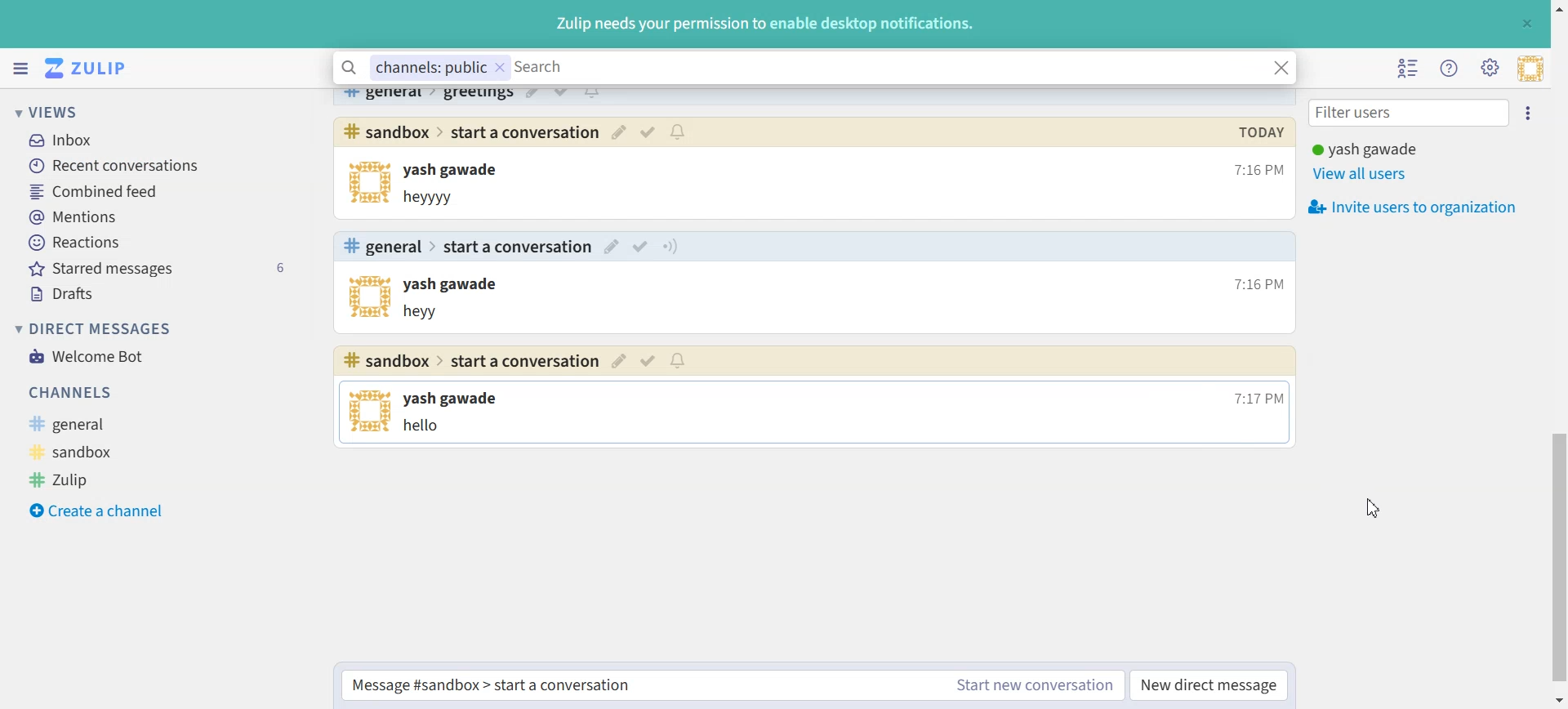  What do you see at coordinates (102, 423) in the screenshot?
I see `general` at bounding box center [102, 423].